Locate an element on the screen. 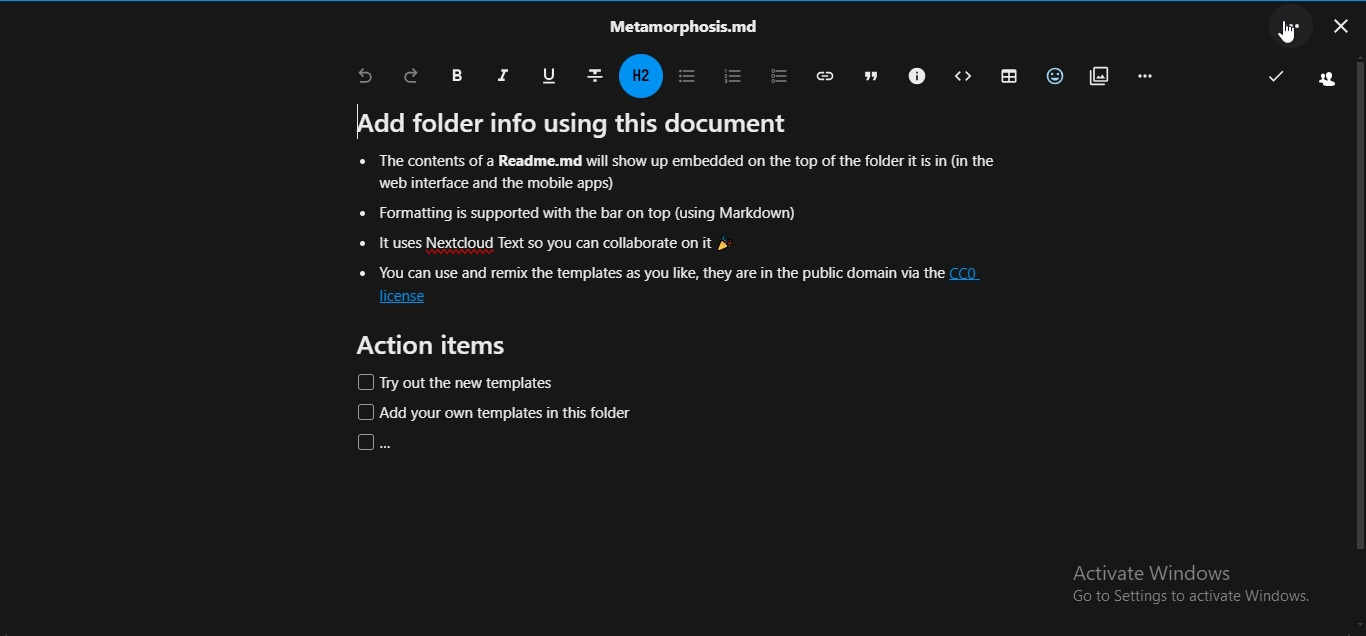 The width and height of the screenshot is (1366, 636). ... is located at coordinates (1296, 28).